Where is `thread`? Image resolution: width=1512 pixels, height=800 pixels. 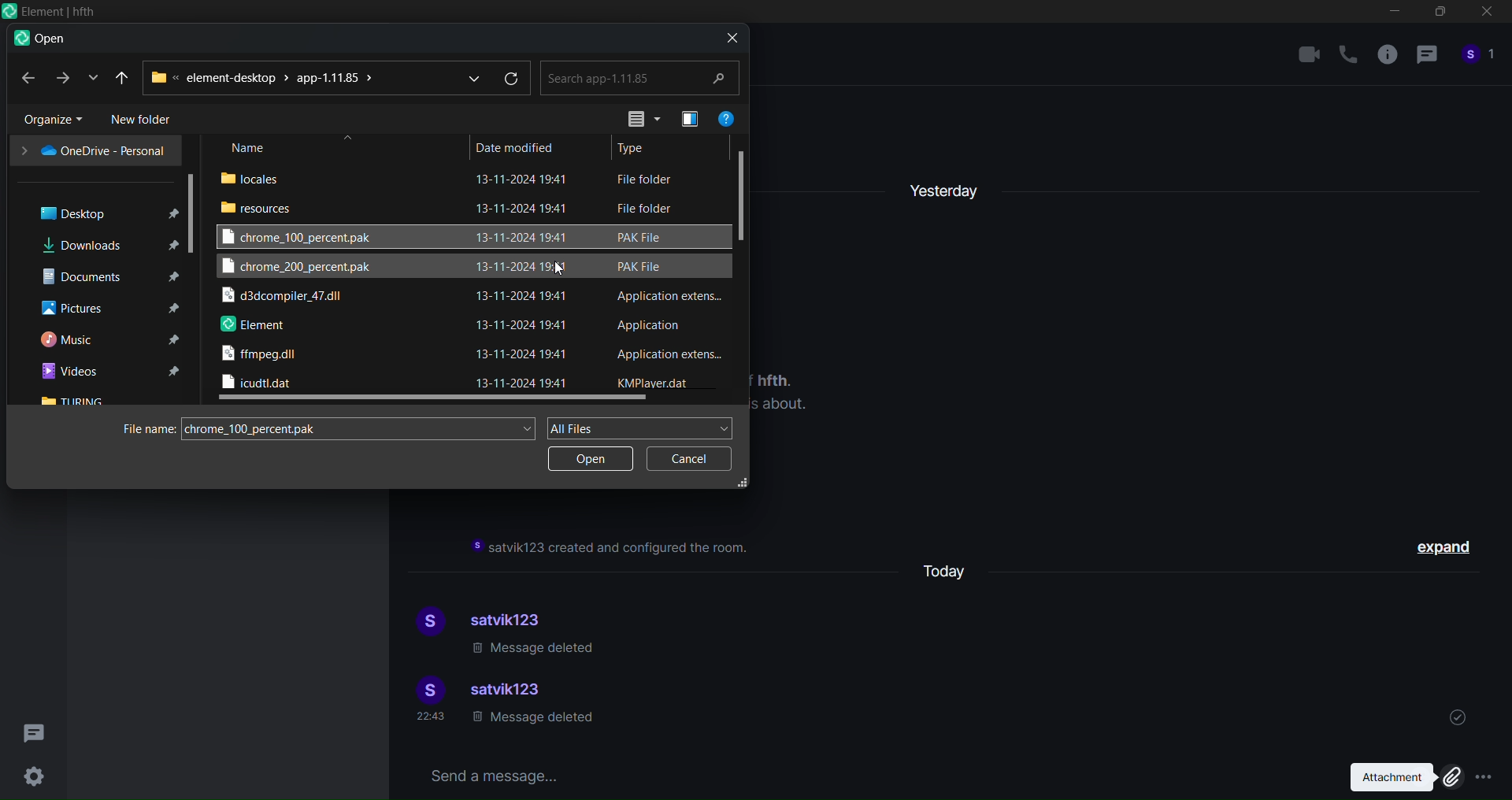 thread is located at coordinates (1426, 57).